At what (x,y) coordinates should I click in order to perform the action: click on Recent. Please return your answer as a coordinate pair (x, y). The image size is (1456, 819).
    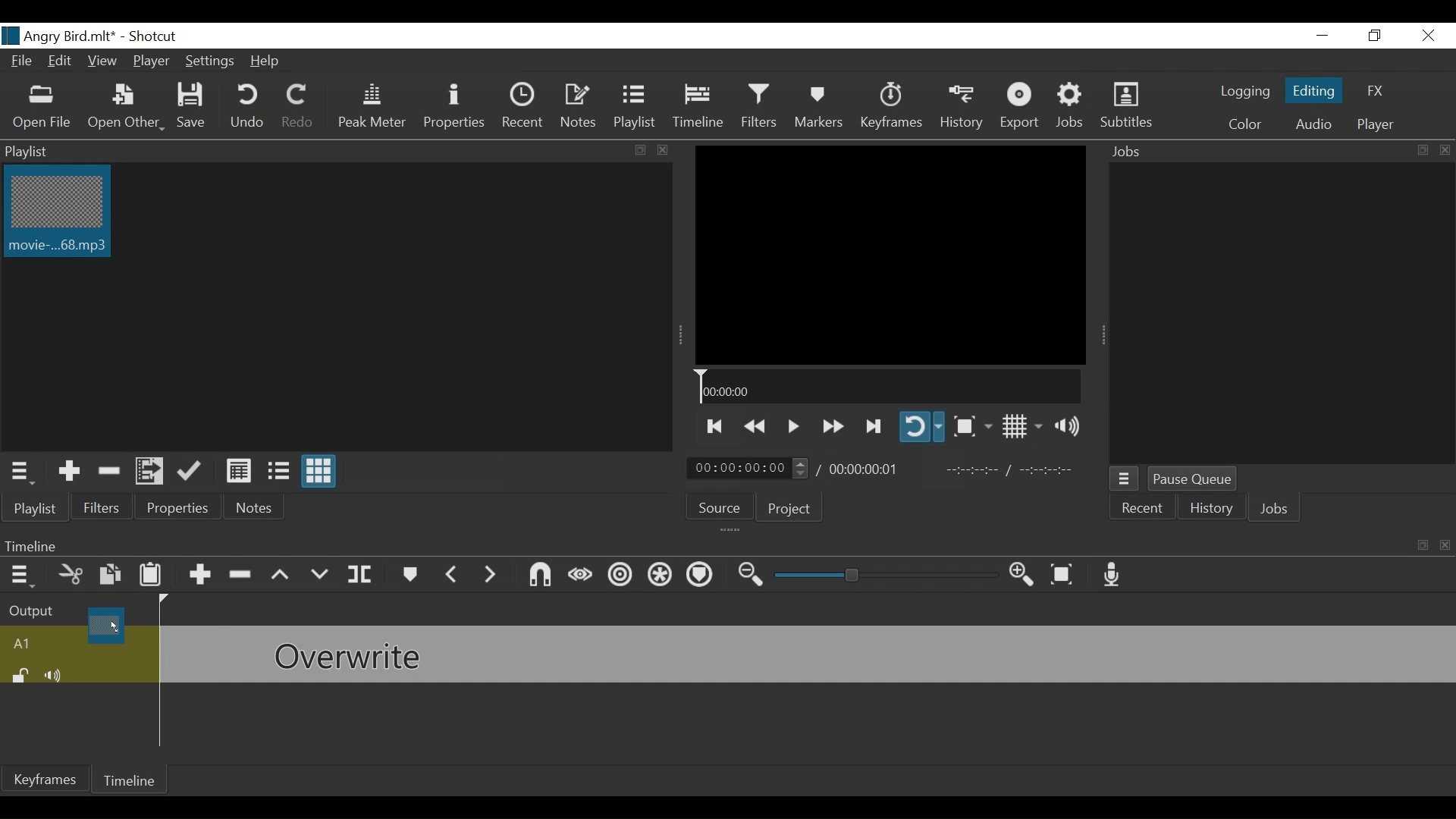
    Looking at the image, I should click on (1143, 508).